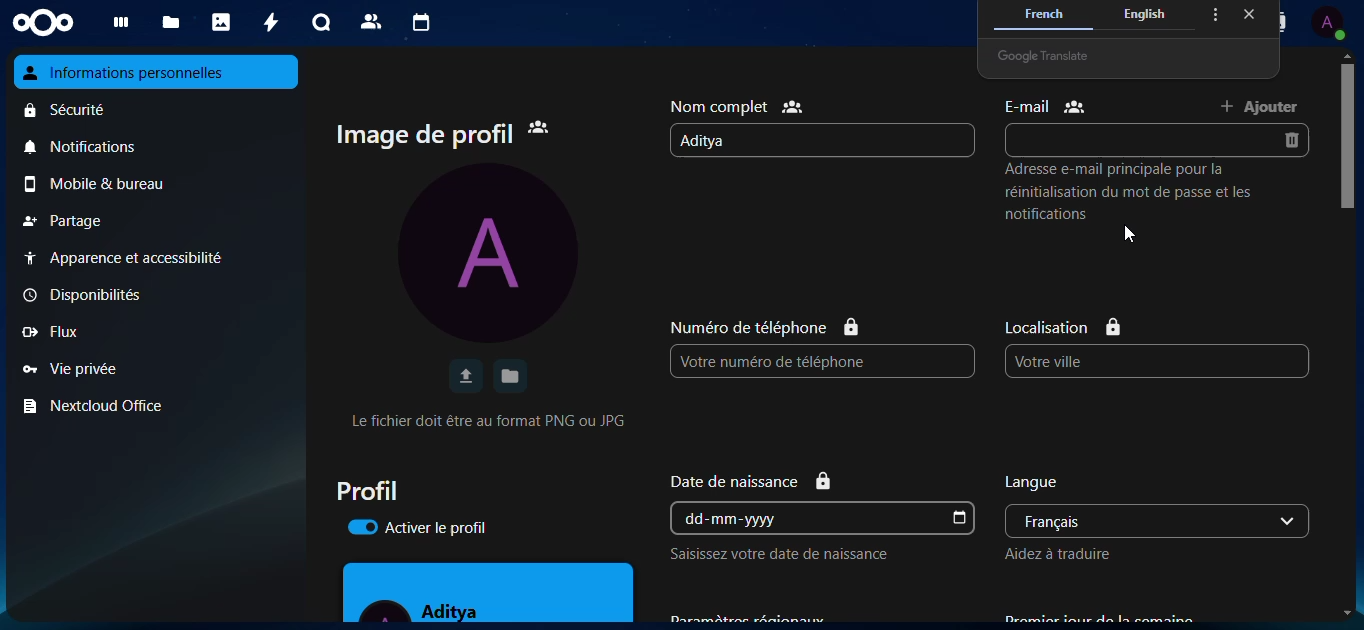 This screenshot has width=1364, height=630. What do you see at coordinates (496, 255) in the screenshot?
I see `profile` at bounding box center [496, 255].